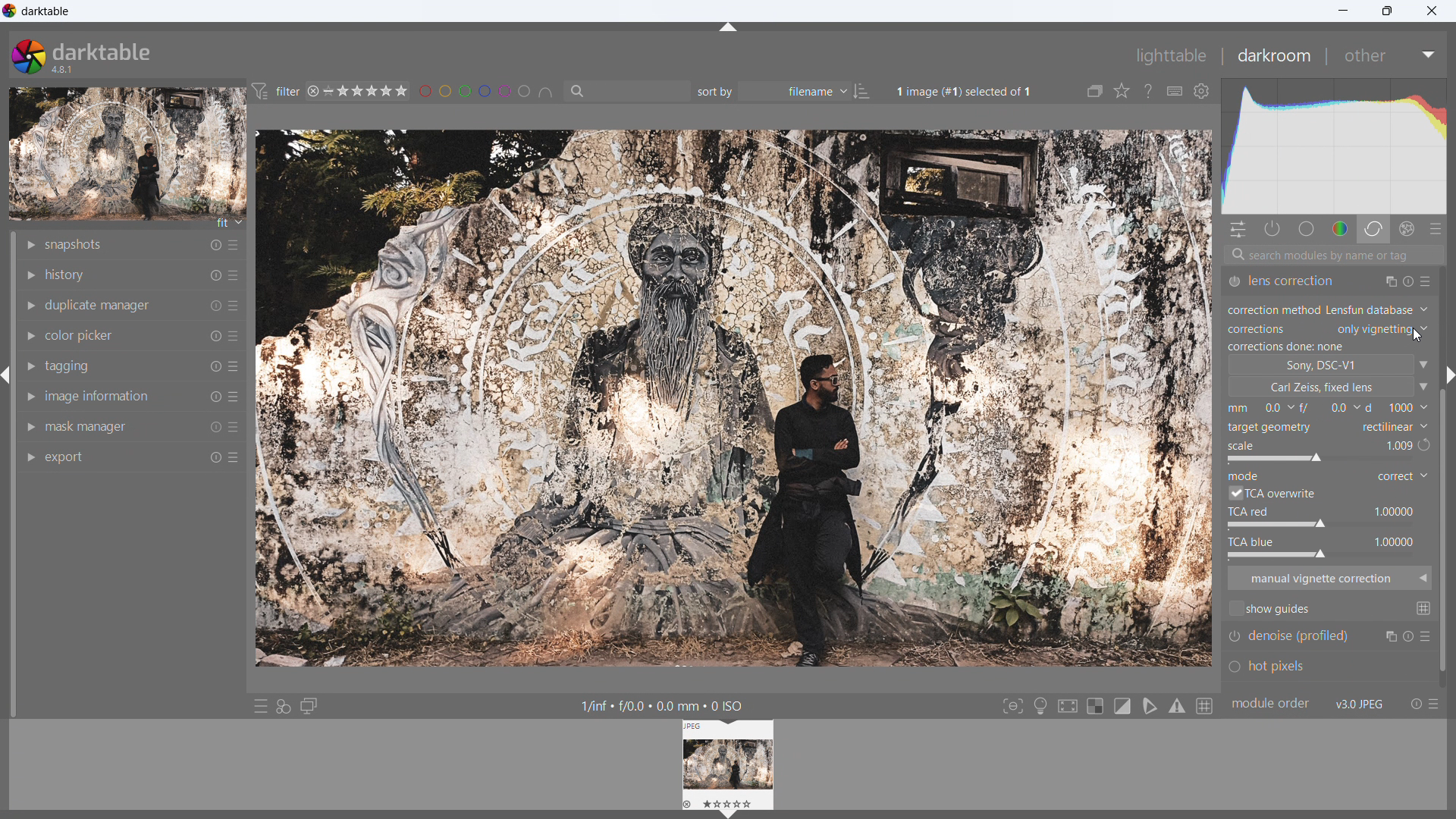 The width and height of the screenshot is (1456, 819). I want to click on reset, so click(215, 369).